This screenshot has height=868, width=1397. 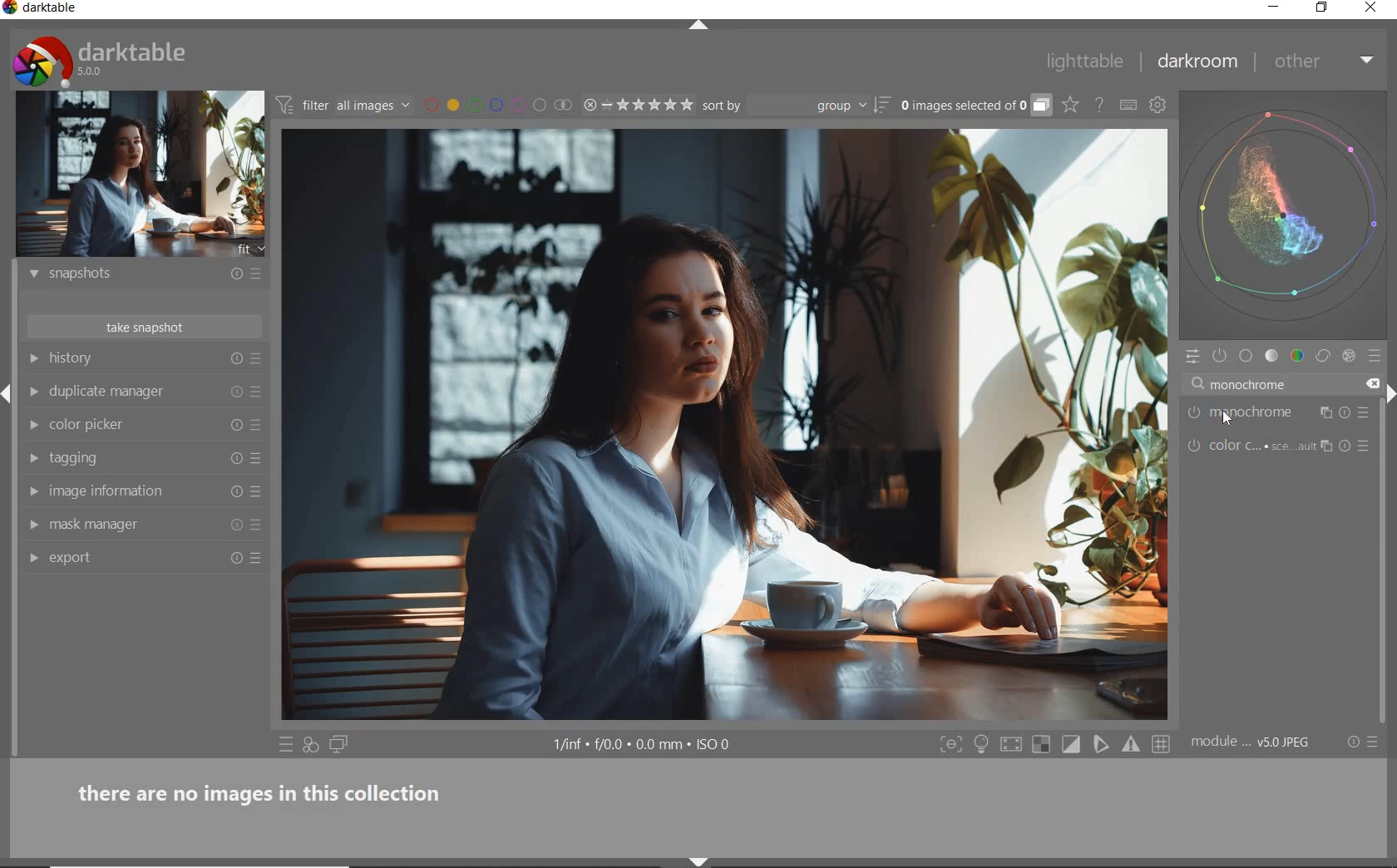 What do you see at coordinates (1365, 742) in the screenshot?
I see `reset or preset & preferences` at bounding box center [1365, 742].